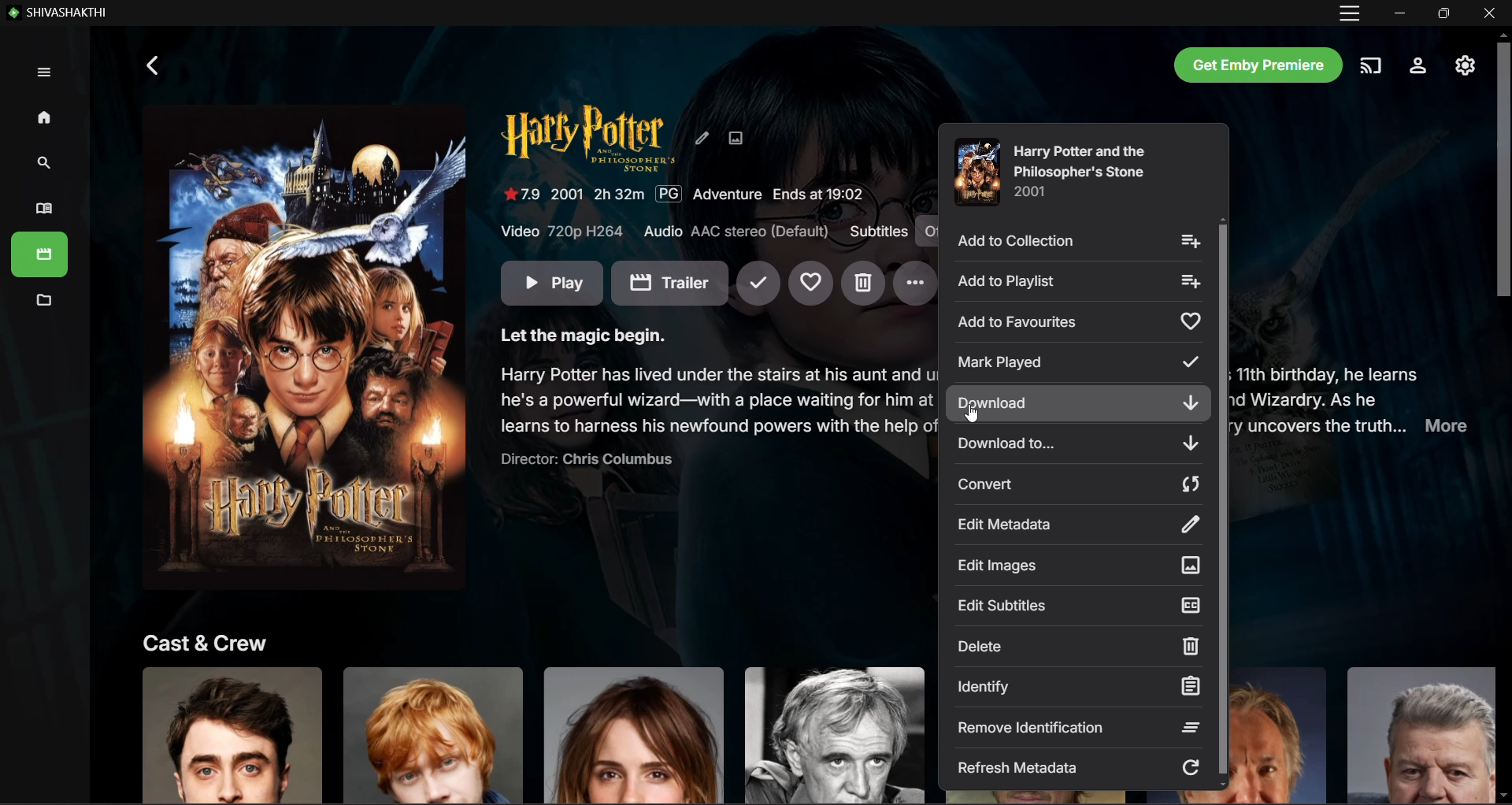 This screenshot has height=805, width=1512. I want to click on Customize and Control App, so click(1350, 13).